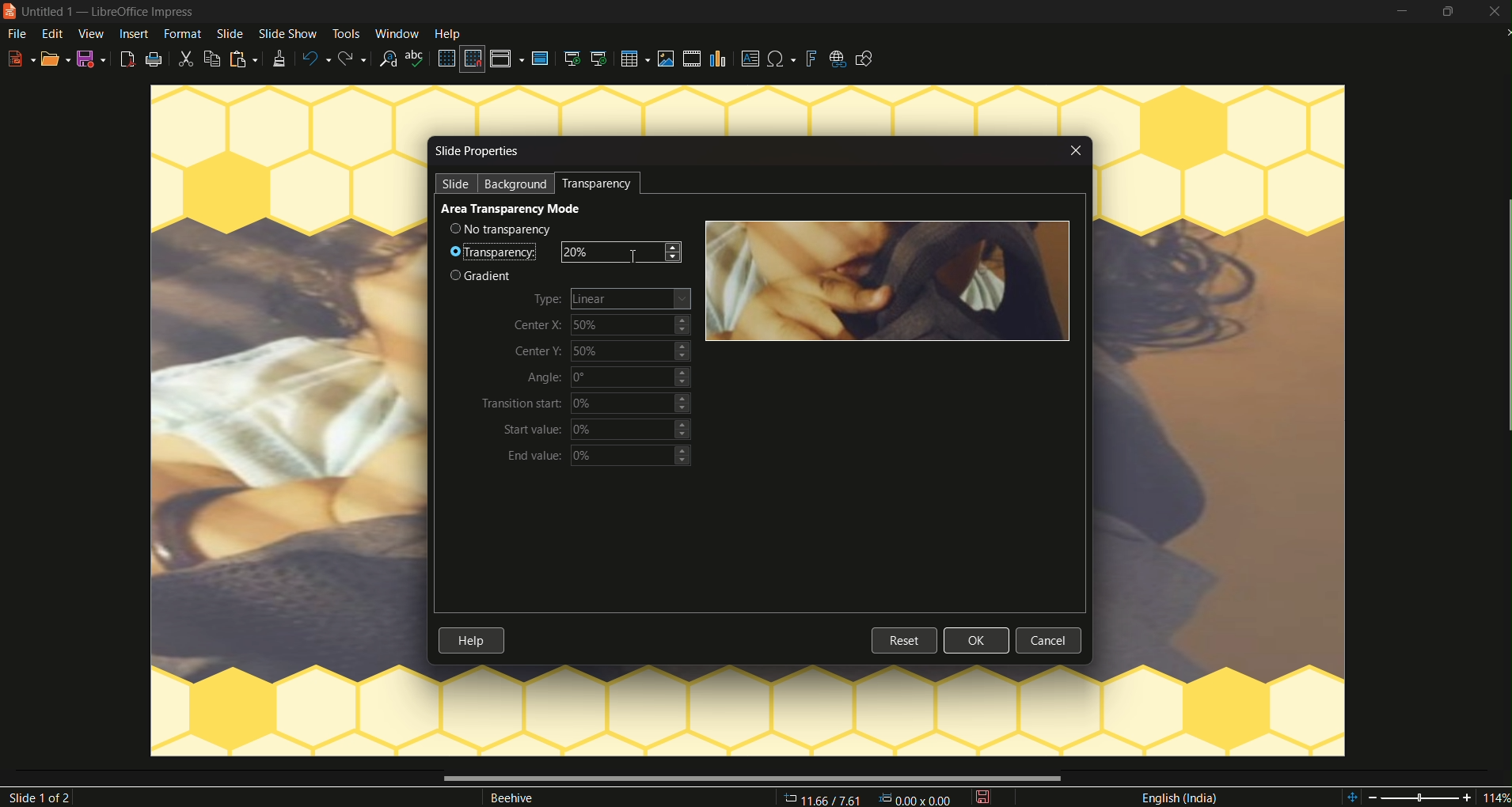 The height and width of the screenshot is (807, 1512). I want to click on slide show, so click(287, 34).